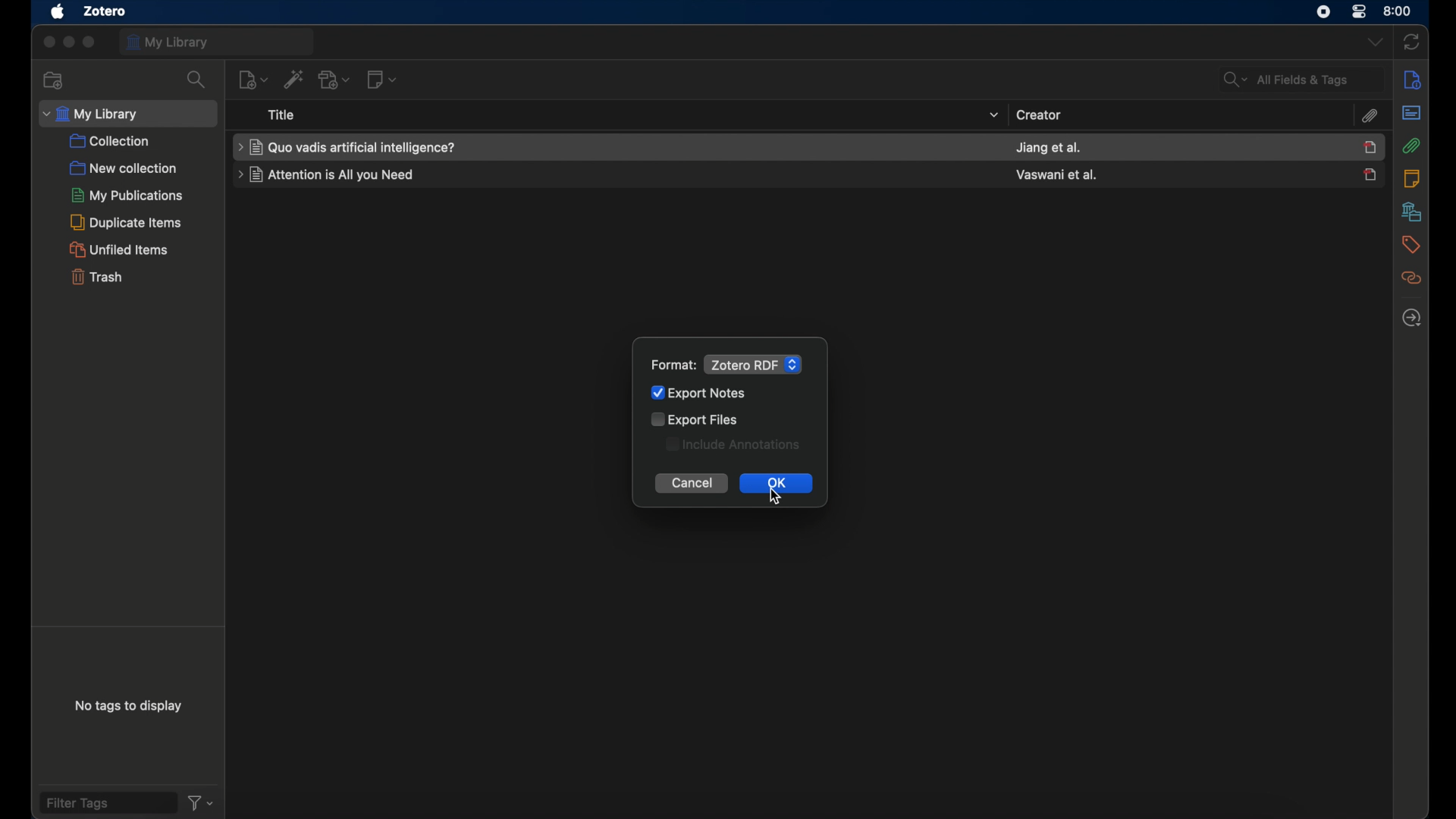 The image size is (1456, 819). I want to click on creator name, so click(1057, 174).